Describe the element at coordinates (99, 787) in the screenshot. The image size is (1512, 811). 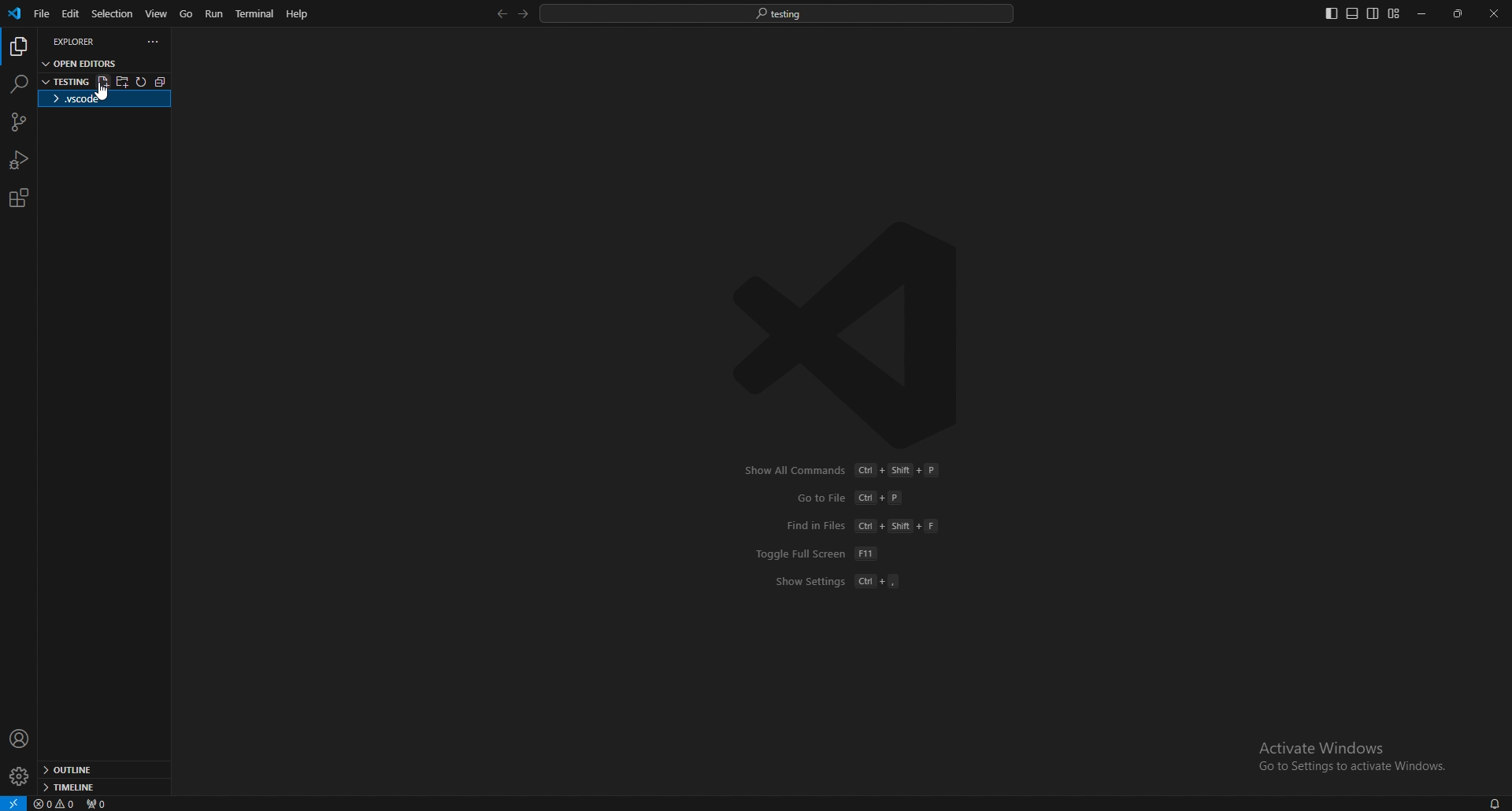
I see `timeline` at that location.